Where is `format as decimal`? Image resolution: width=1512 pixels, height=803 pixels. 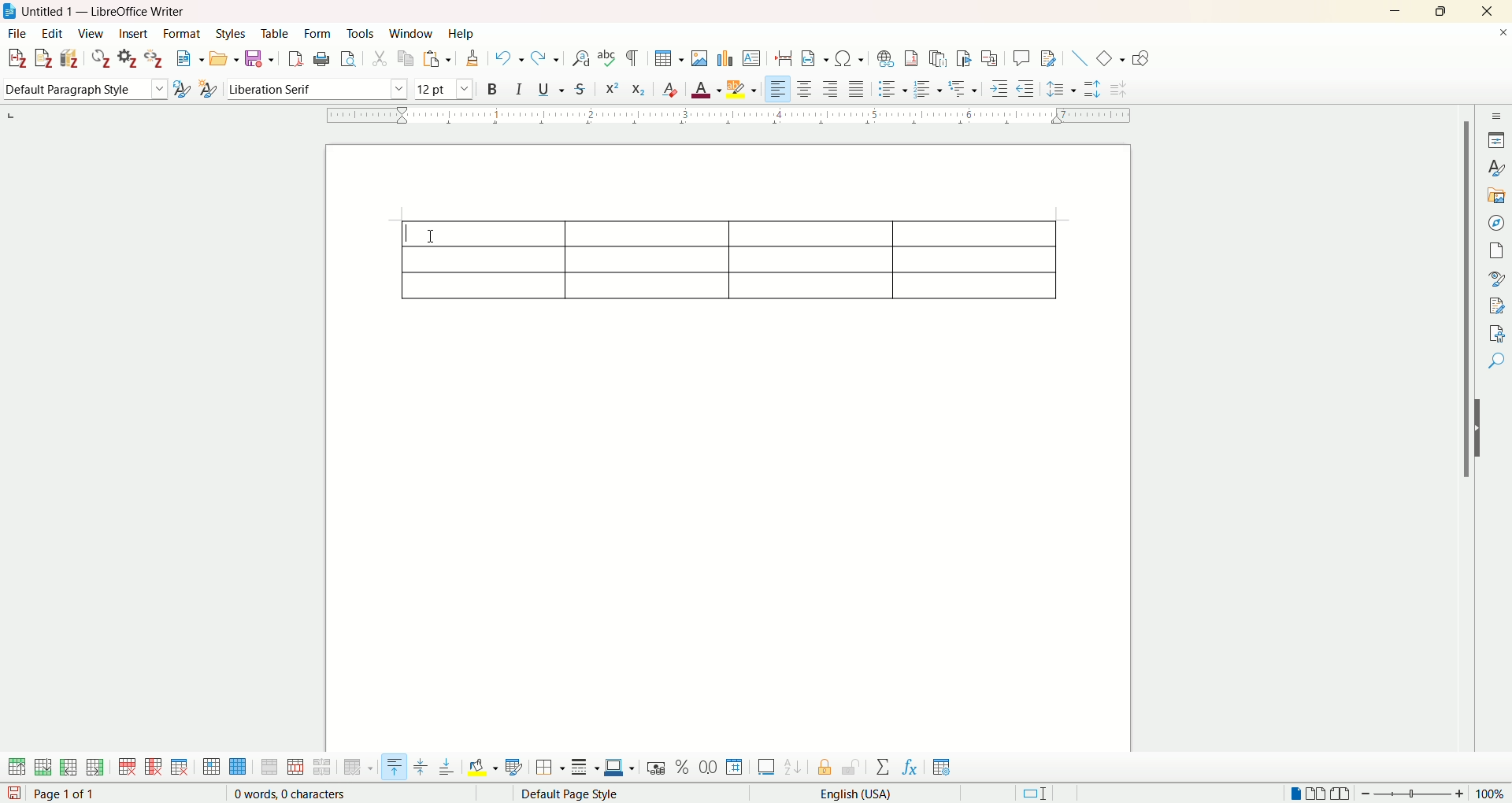
format as decimal is located at coordinates (712, 768).